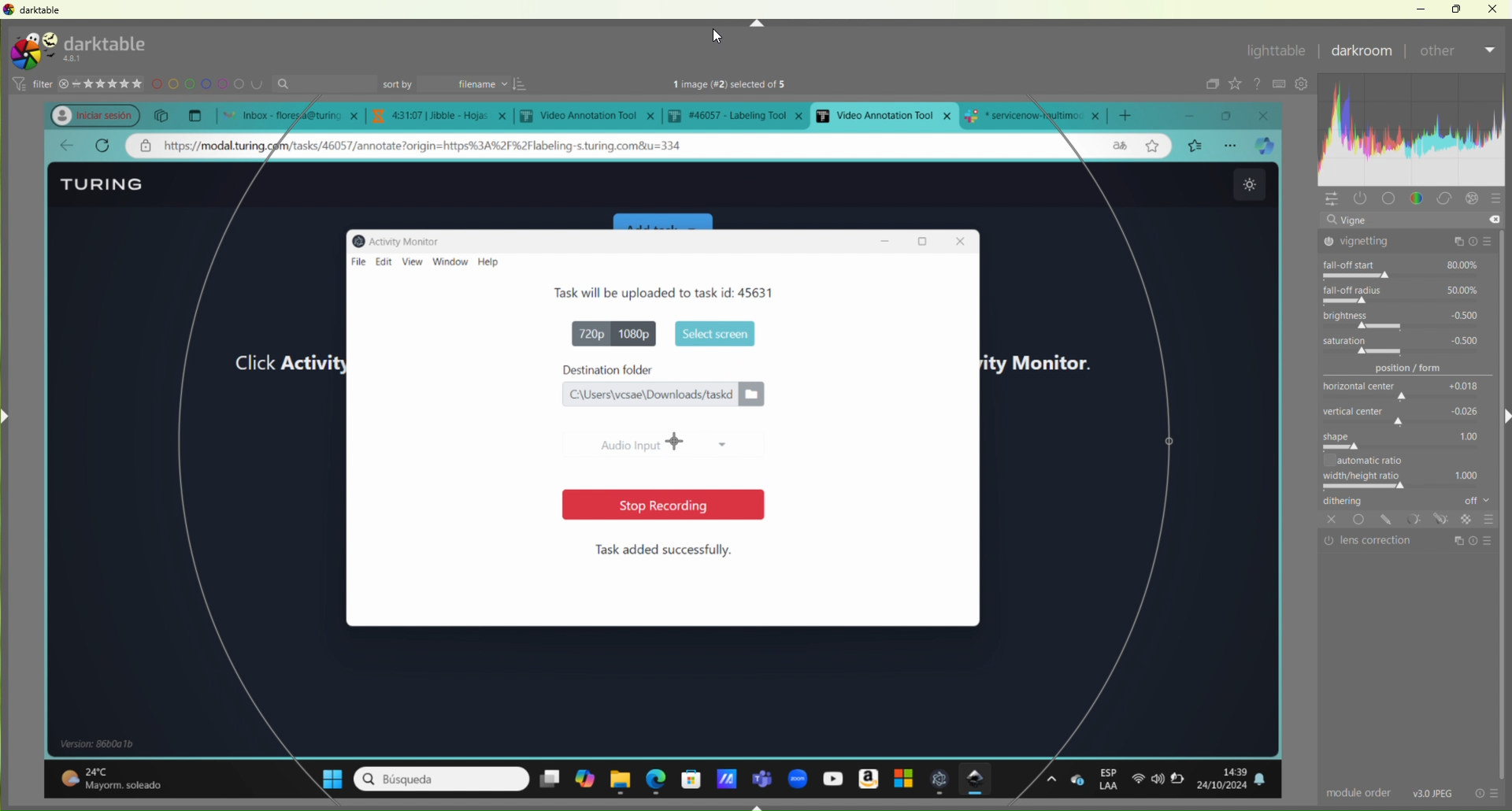  Describe the element at coordinates (35, 11) in the screenshot. I see `darktable` at that location.